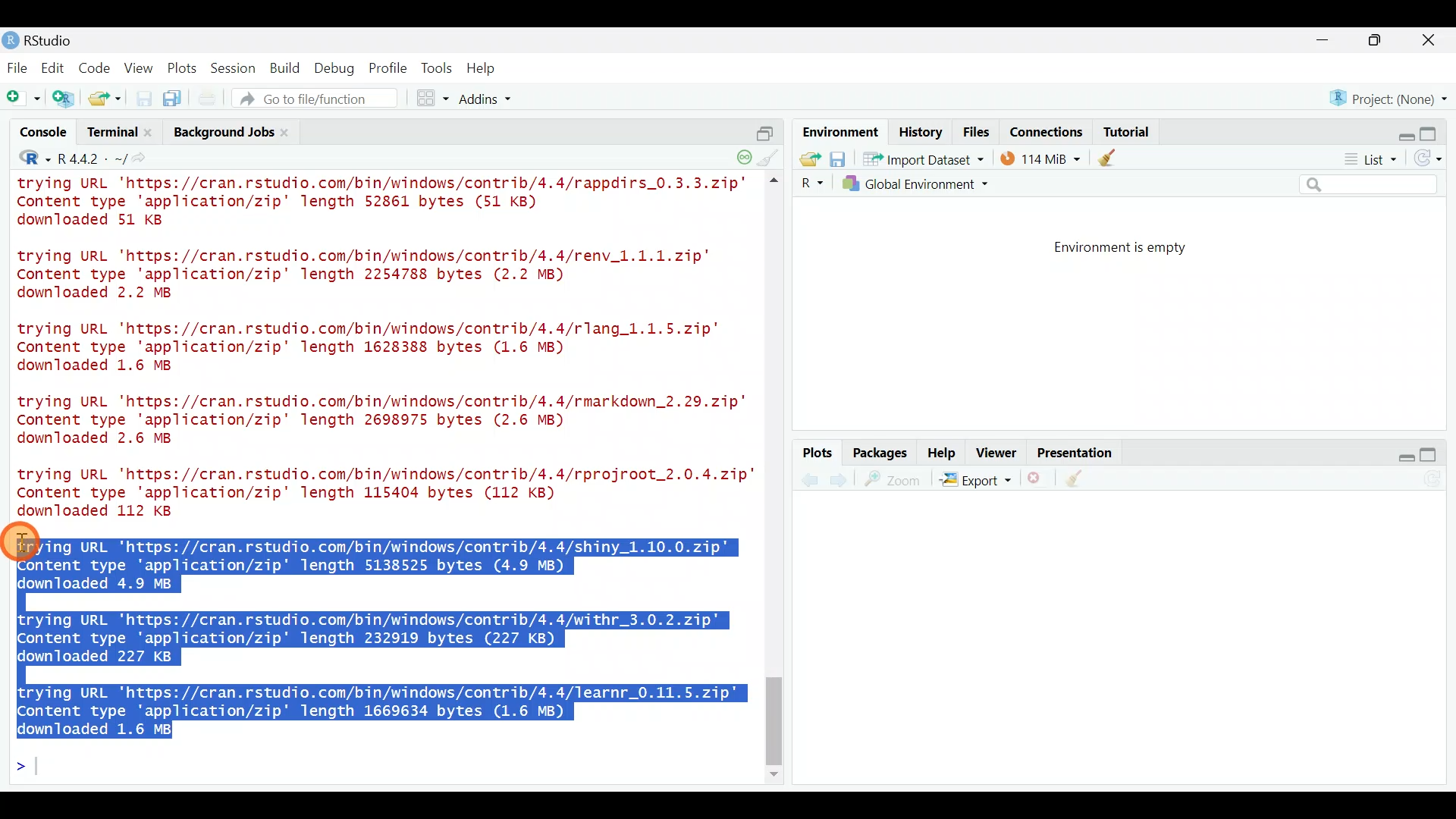  Describe the element at coordinates (977, 132) in the screenshot. I see `Files` at that location.